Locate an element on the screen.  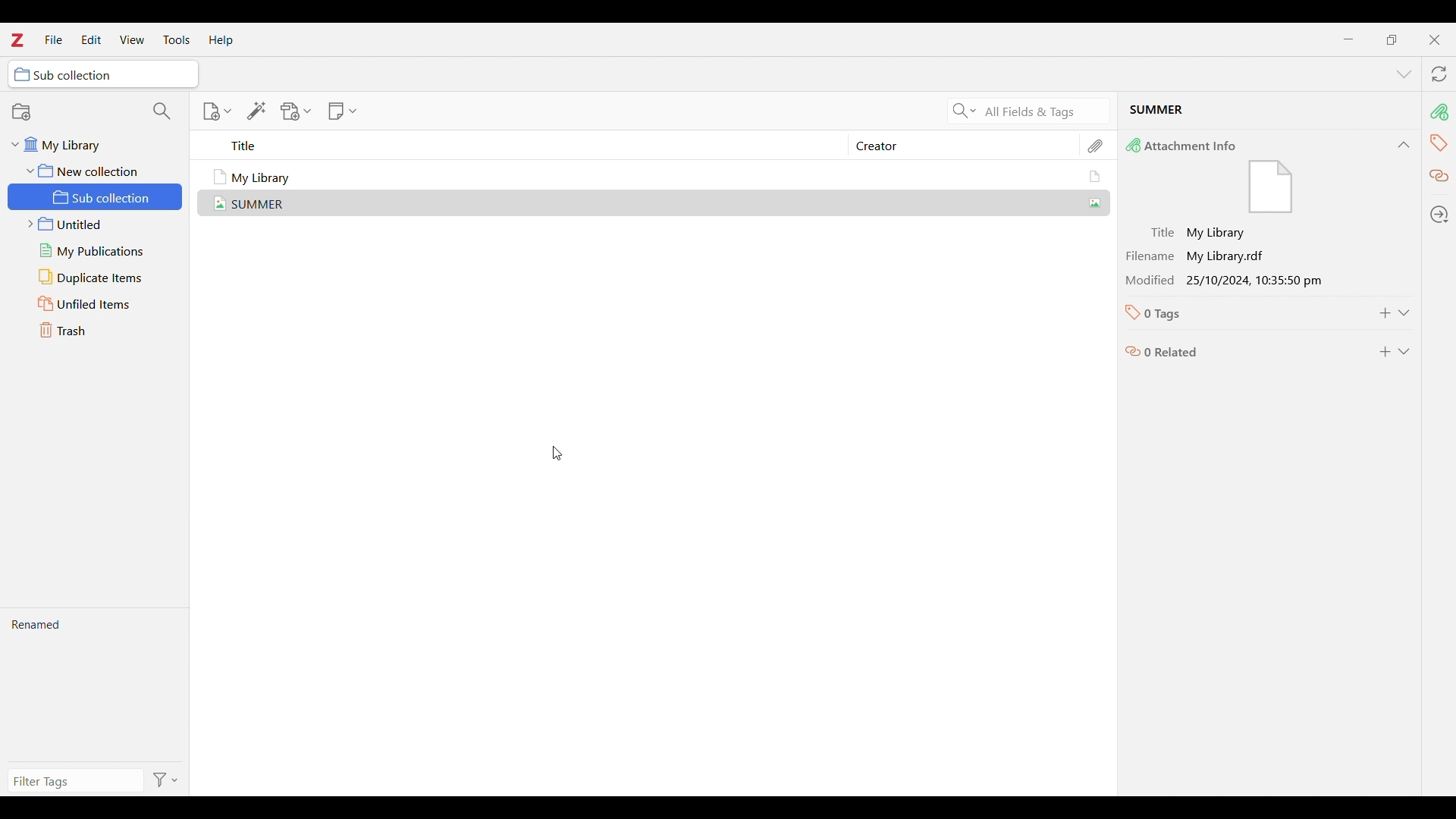
New note  is located at coordinates (342, 111).